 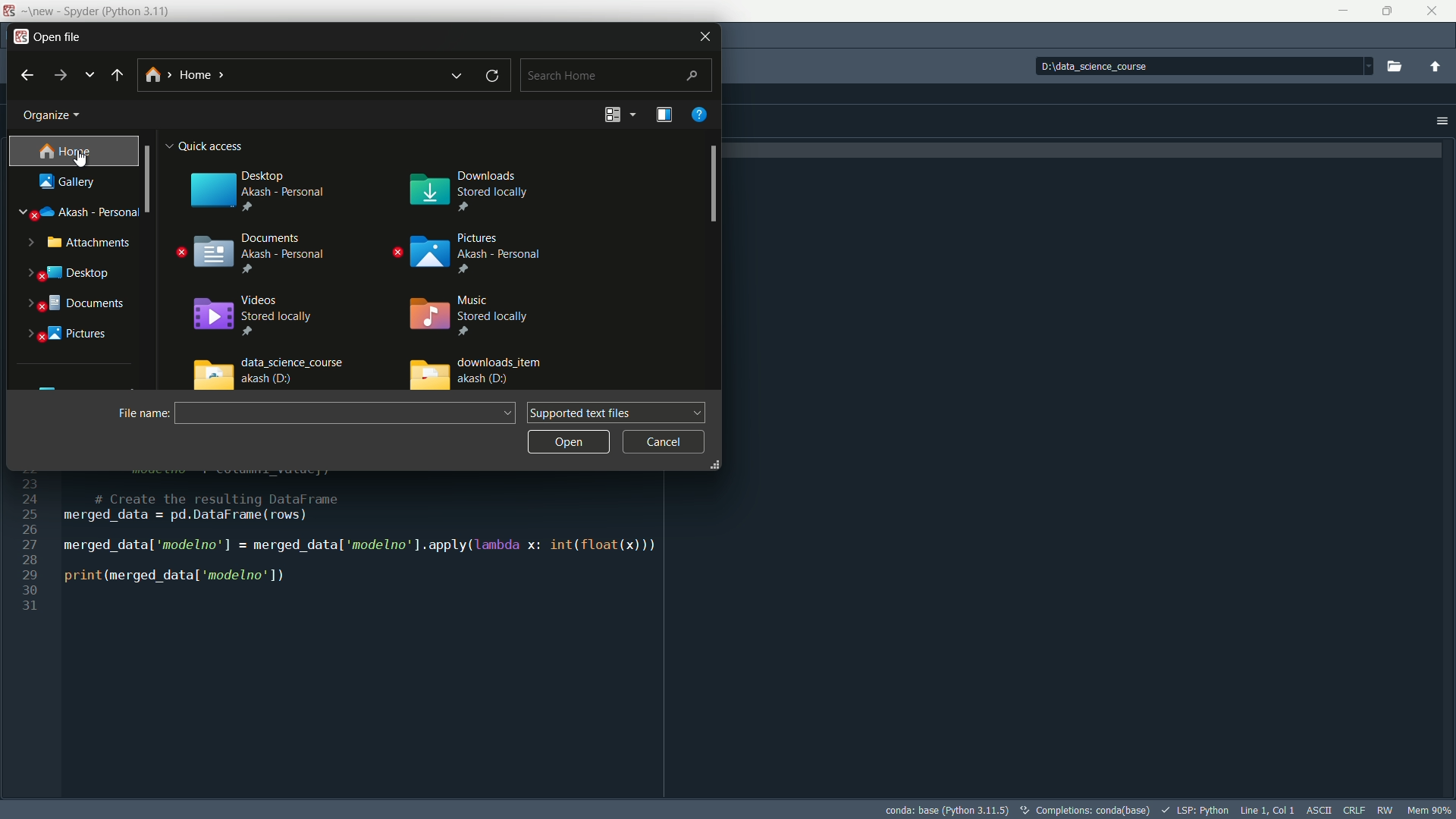 I want to click on documents, so click(x=84, y=306).